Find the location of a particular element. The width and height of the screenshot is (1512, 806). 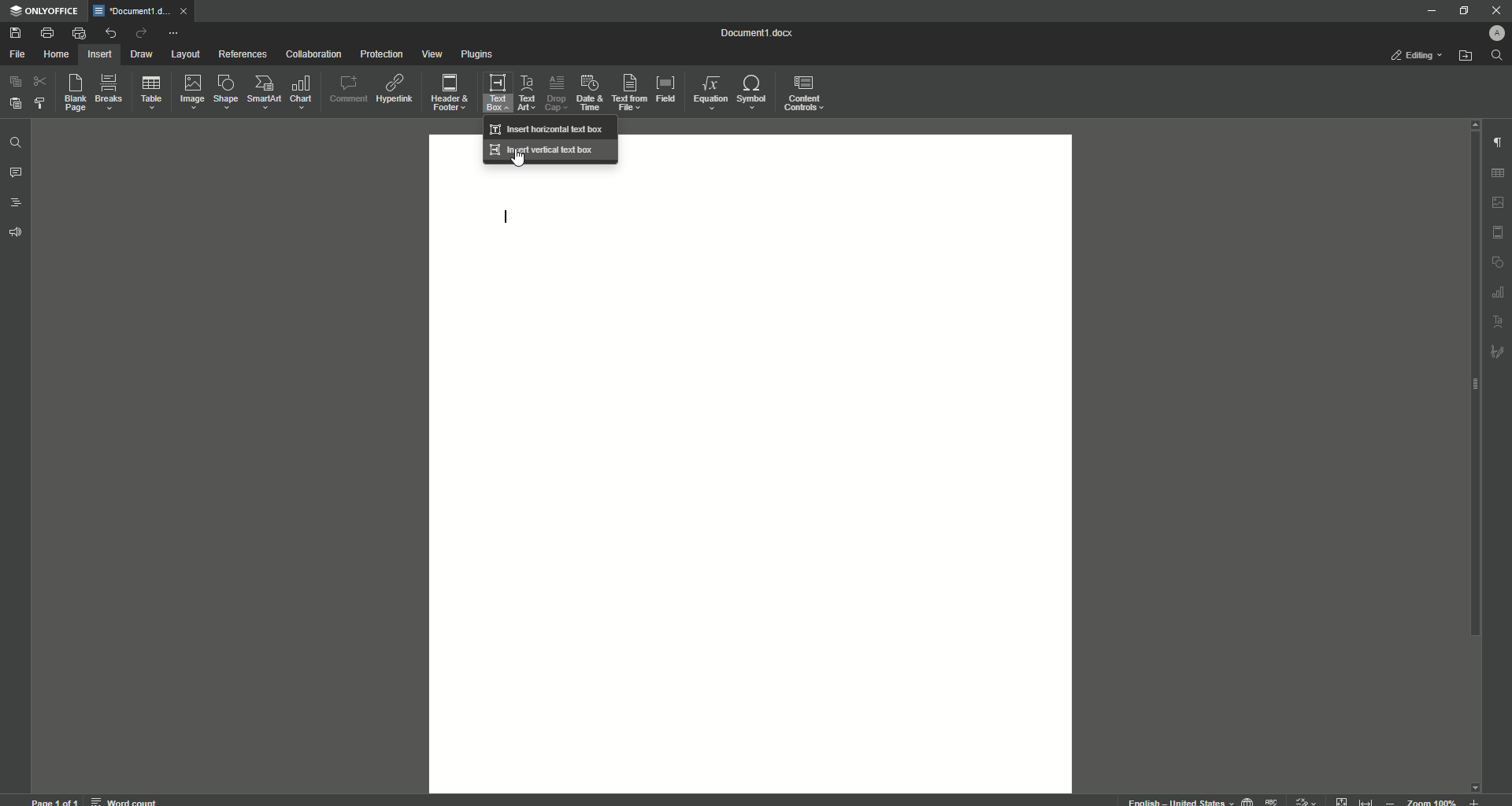

Drop Cap is located at coordinates (554, 90).